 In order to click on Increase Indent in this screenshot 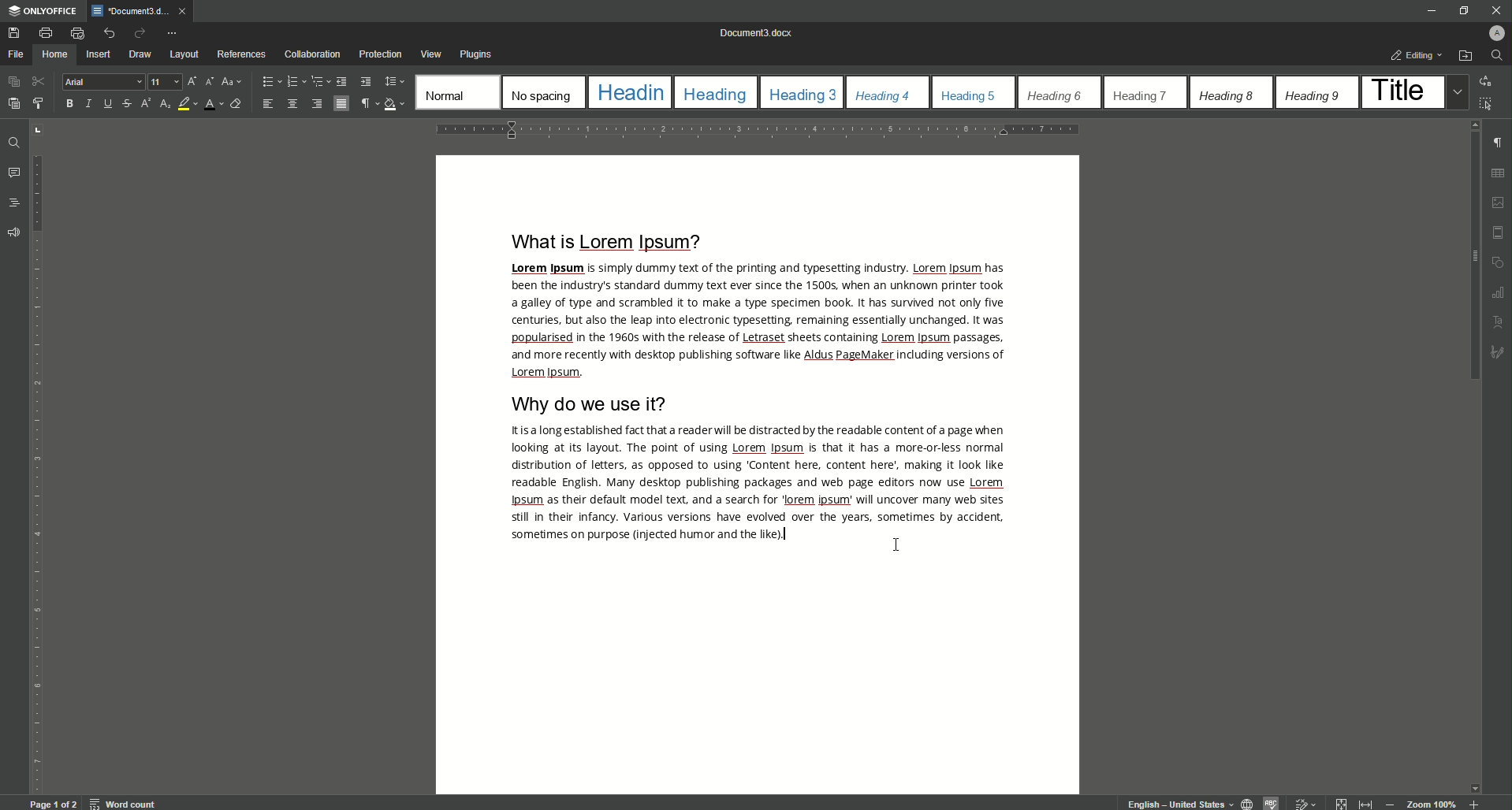, I will do `click(368, 81)`.